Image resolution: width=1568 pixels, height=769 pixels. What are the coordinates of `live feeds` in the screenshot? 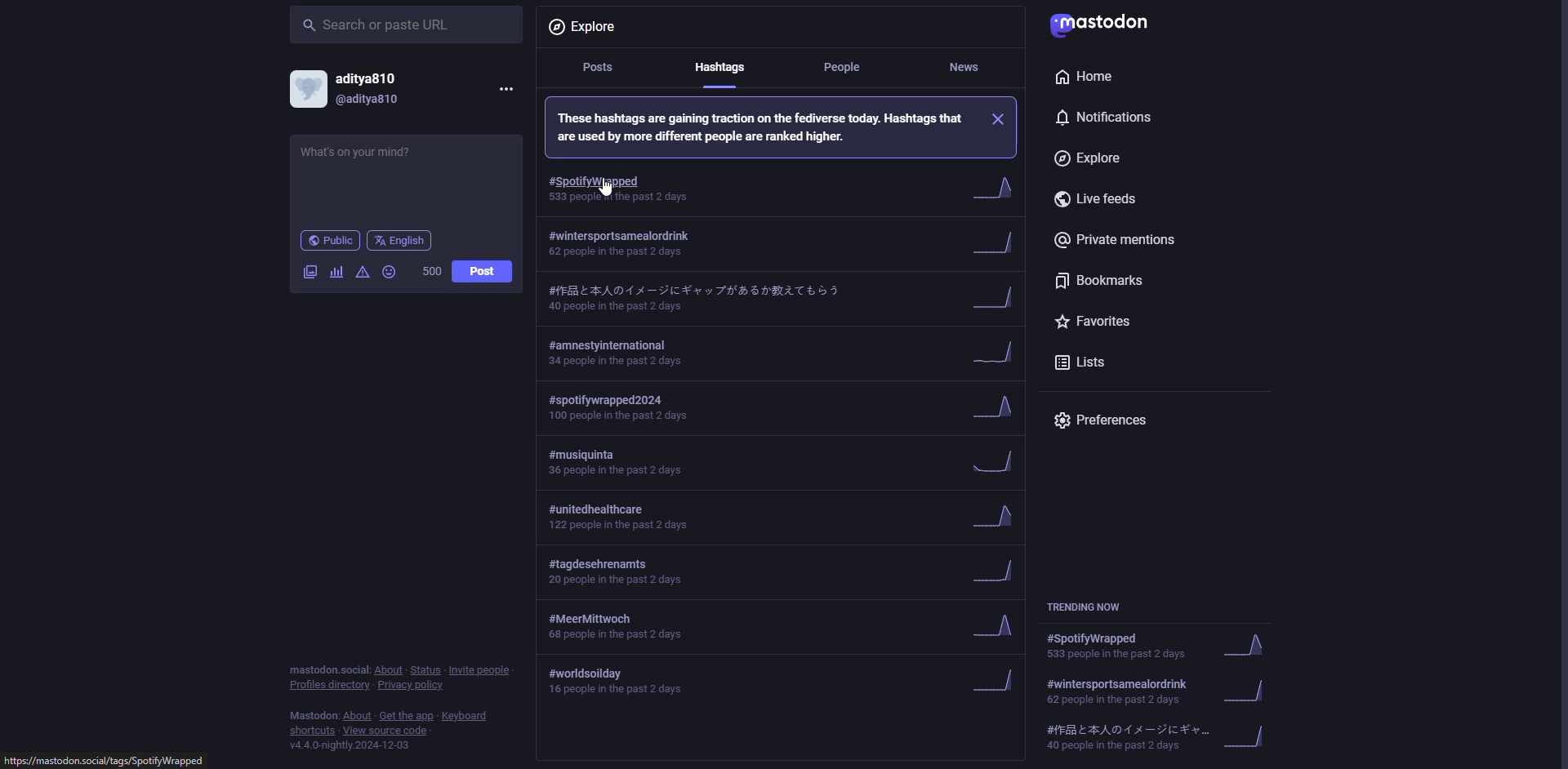 It's located at (1102, 198).